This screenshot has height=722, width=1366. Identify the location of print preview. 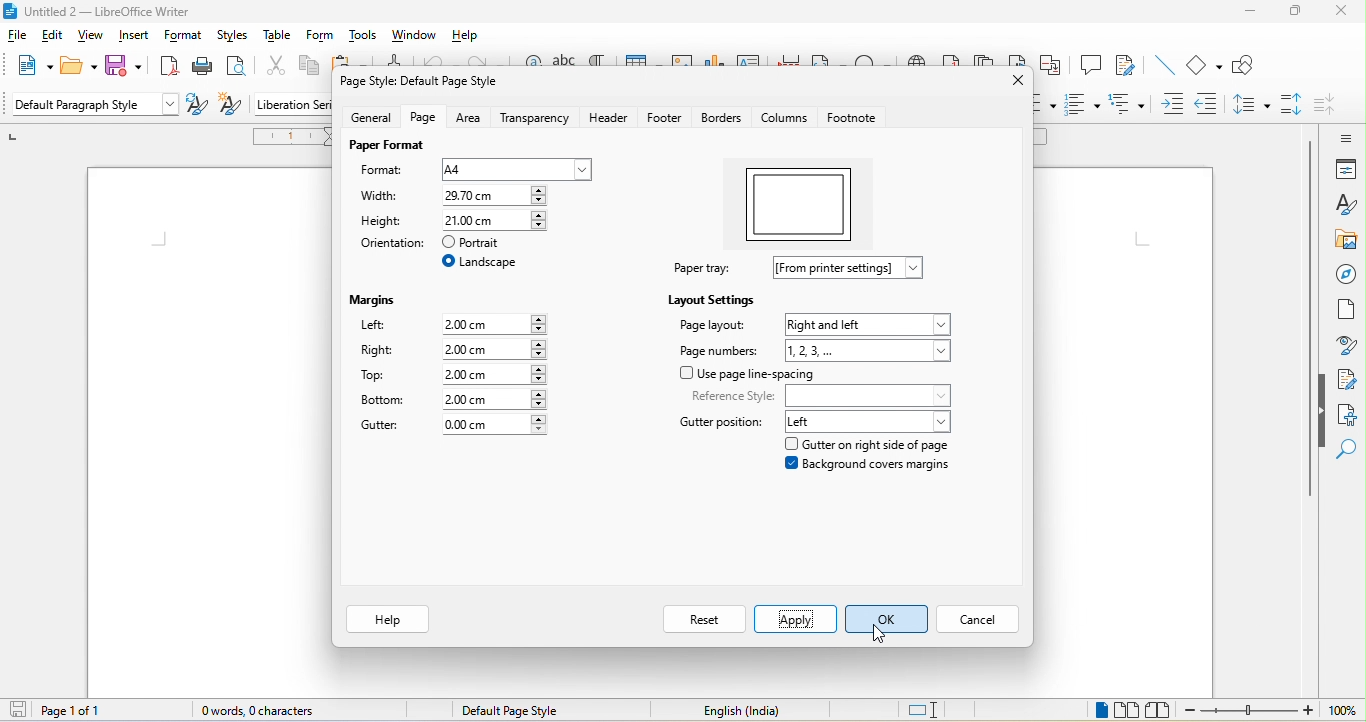
(241, 69).